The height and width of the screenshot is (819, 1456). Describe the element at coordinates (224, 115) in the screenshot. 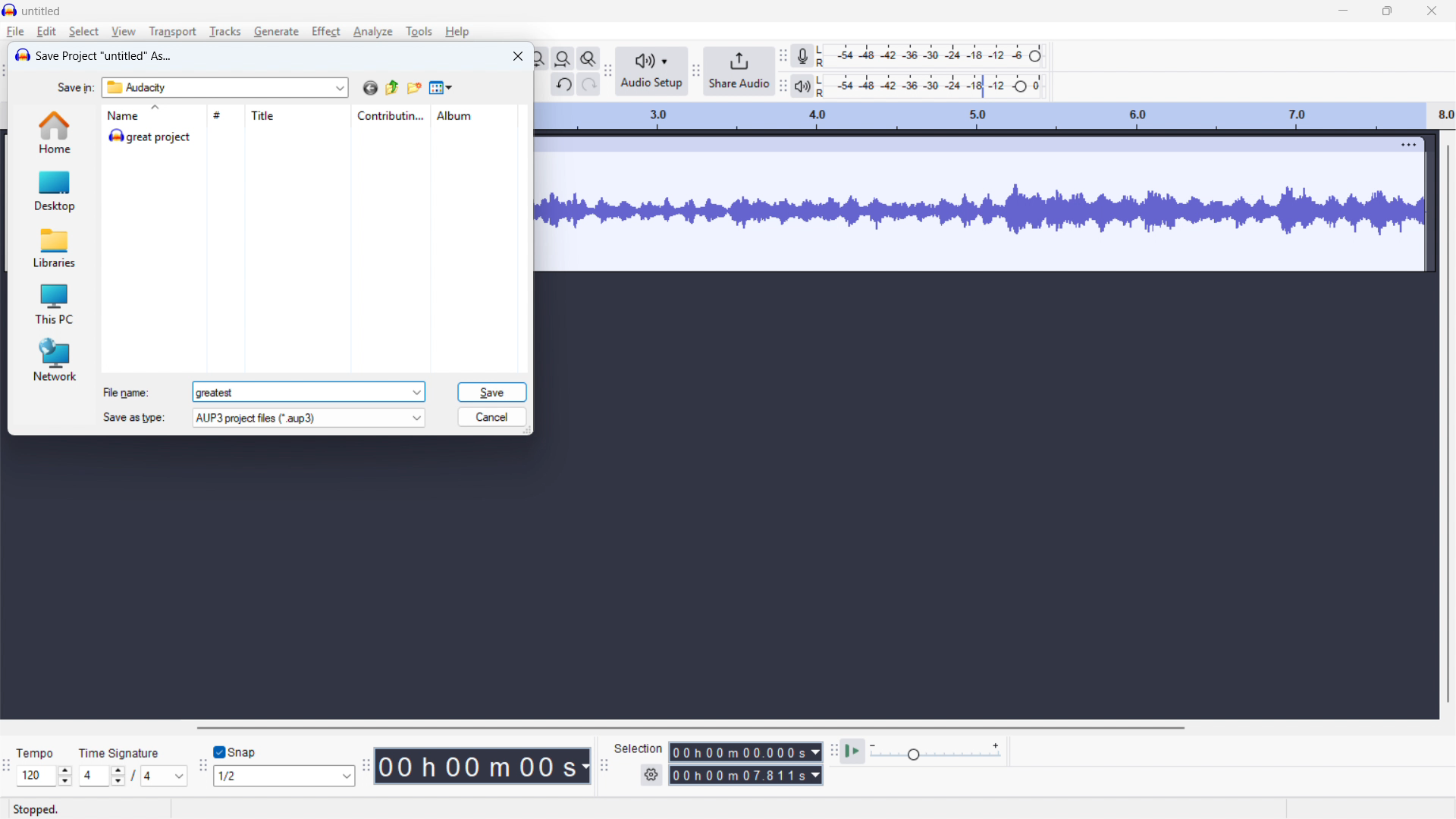

I see `#` at that location.